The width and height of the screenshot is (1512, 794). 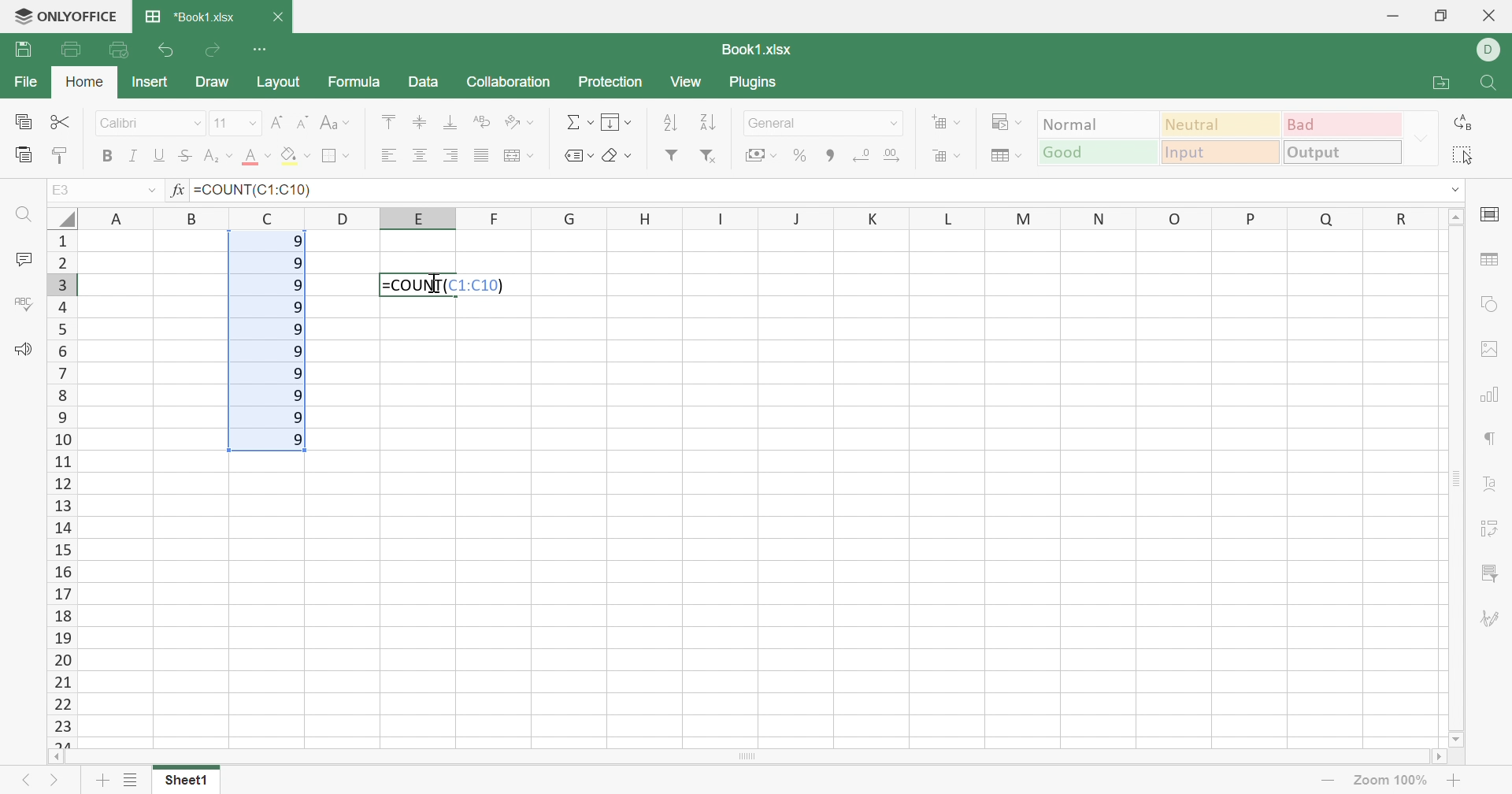 I want to click on Pivot table settings, so click(x=1490, y=530).